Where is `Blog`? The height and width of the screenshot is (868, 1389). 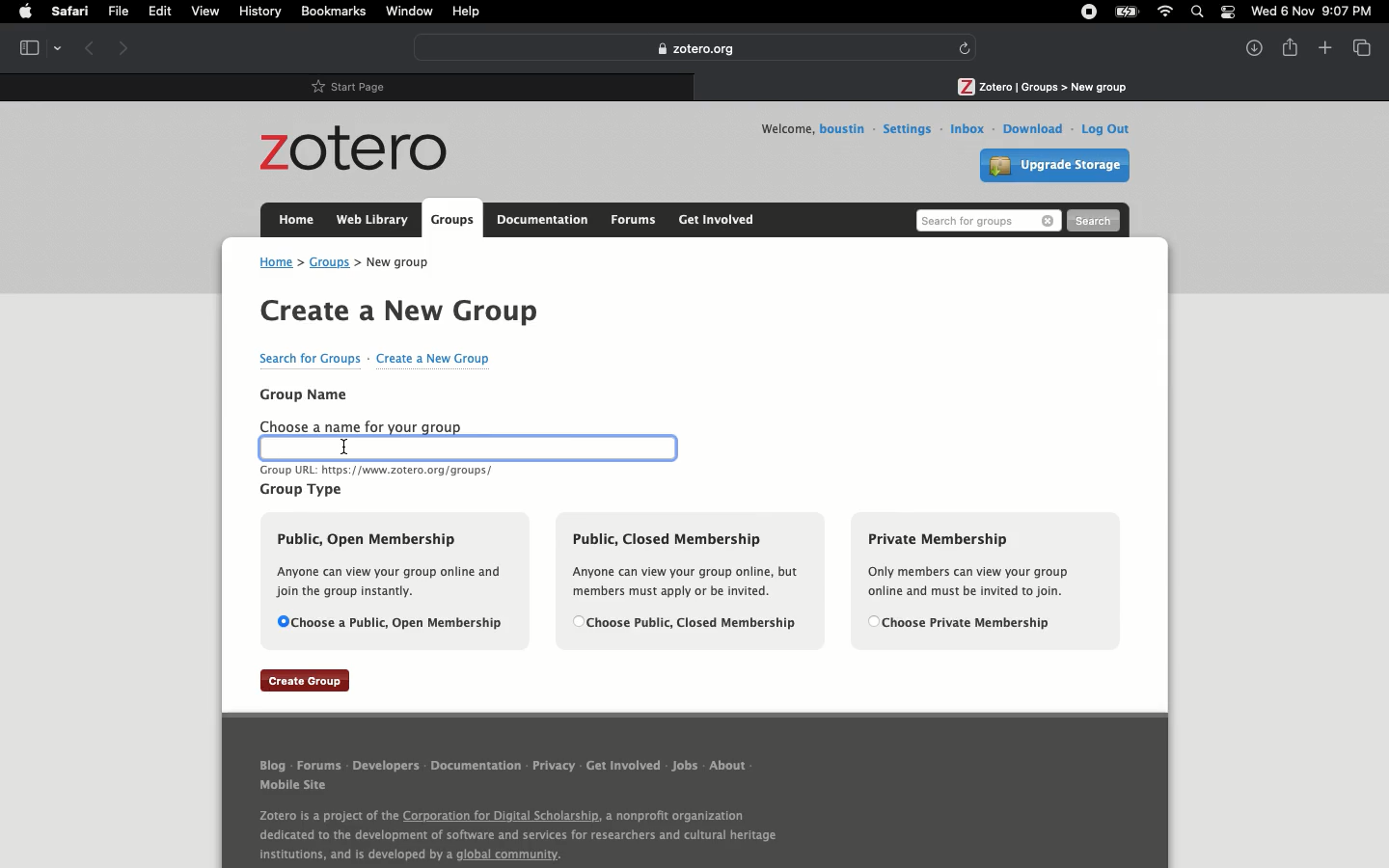
Blog is located at coordinates (271, 767).